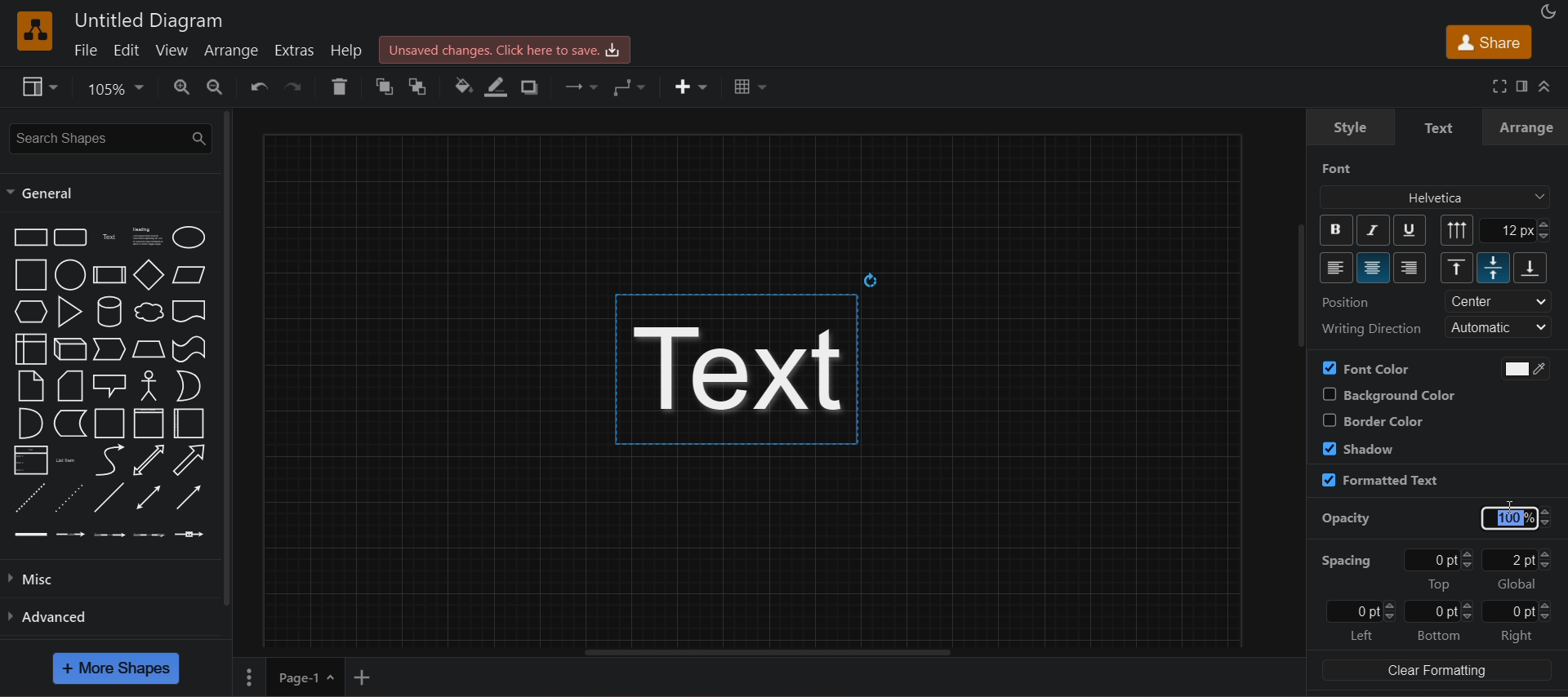 The width and height of the screenshot is (1568, 697). I want to click on vertical scroll bar, so click(226, 357).